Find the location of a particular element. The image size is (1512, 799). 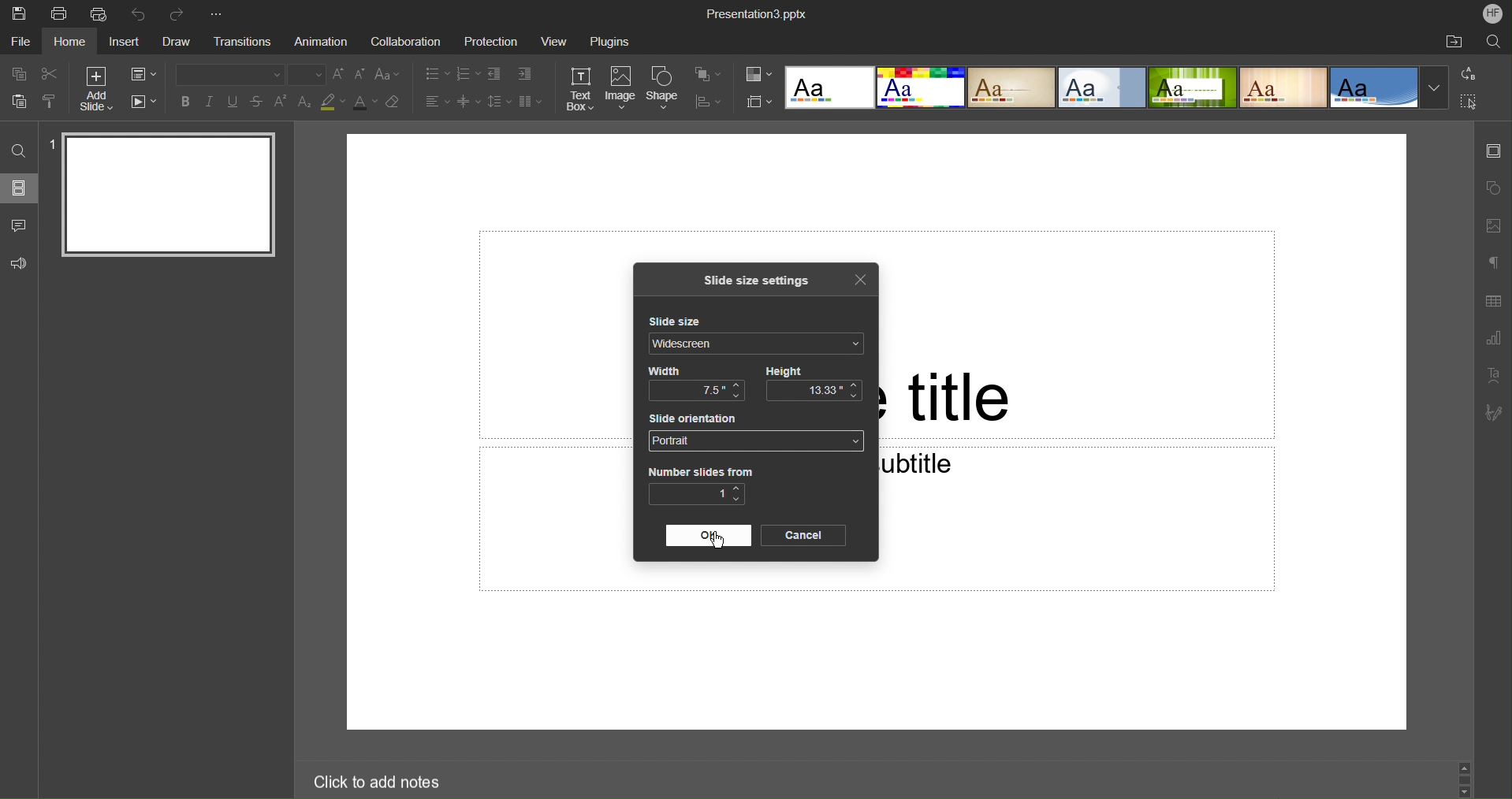

Slide Templates is located at coordinates (1115, 88).